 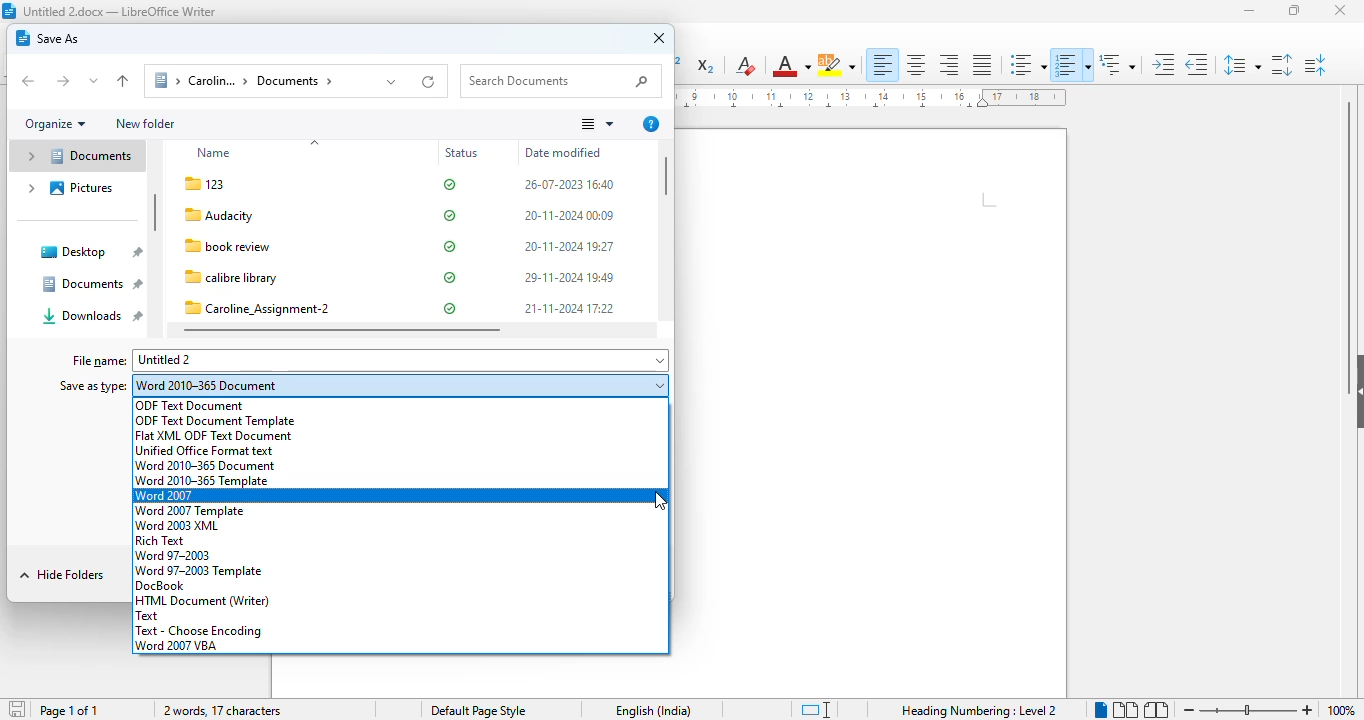 I want to click on more options, so click(x=651, y=124).